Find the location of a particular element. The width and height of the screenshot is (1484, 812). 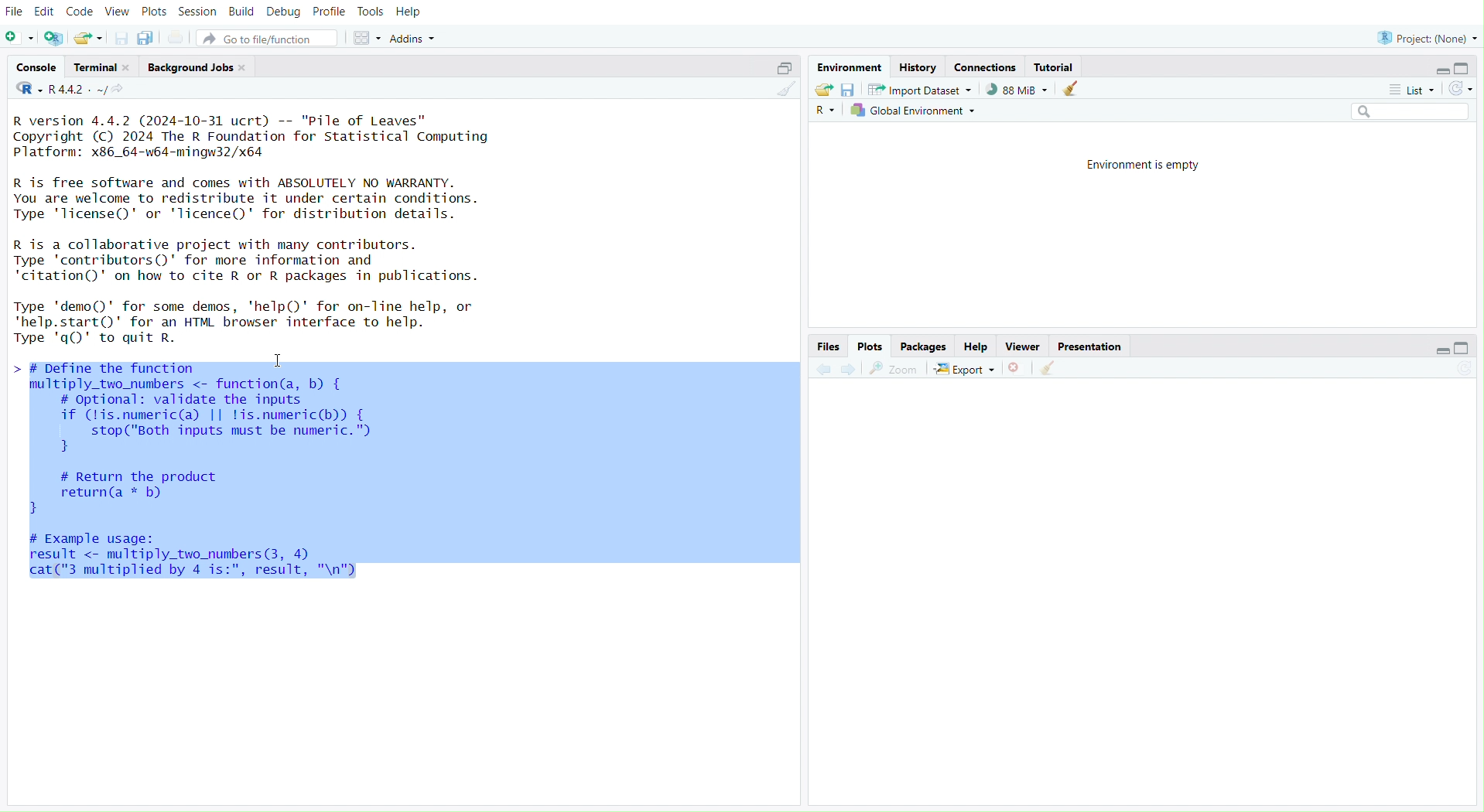

Plots is located at coordinates (152, 12).